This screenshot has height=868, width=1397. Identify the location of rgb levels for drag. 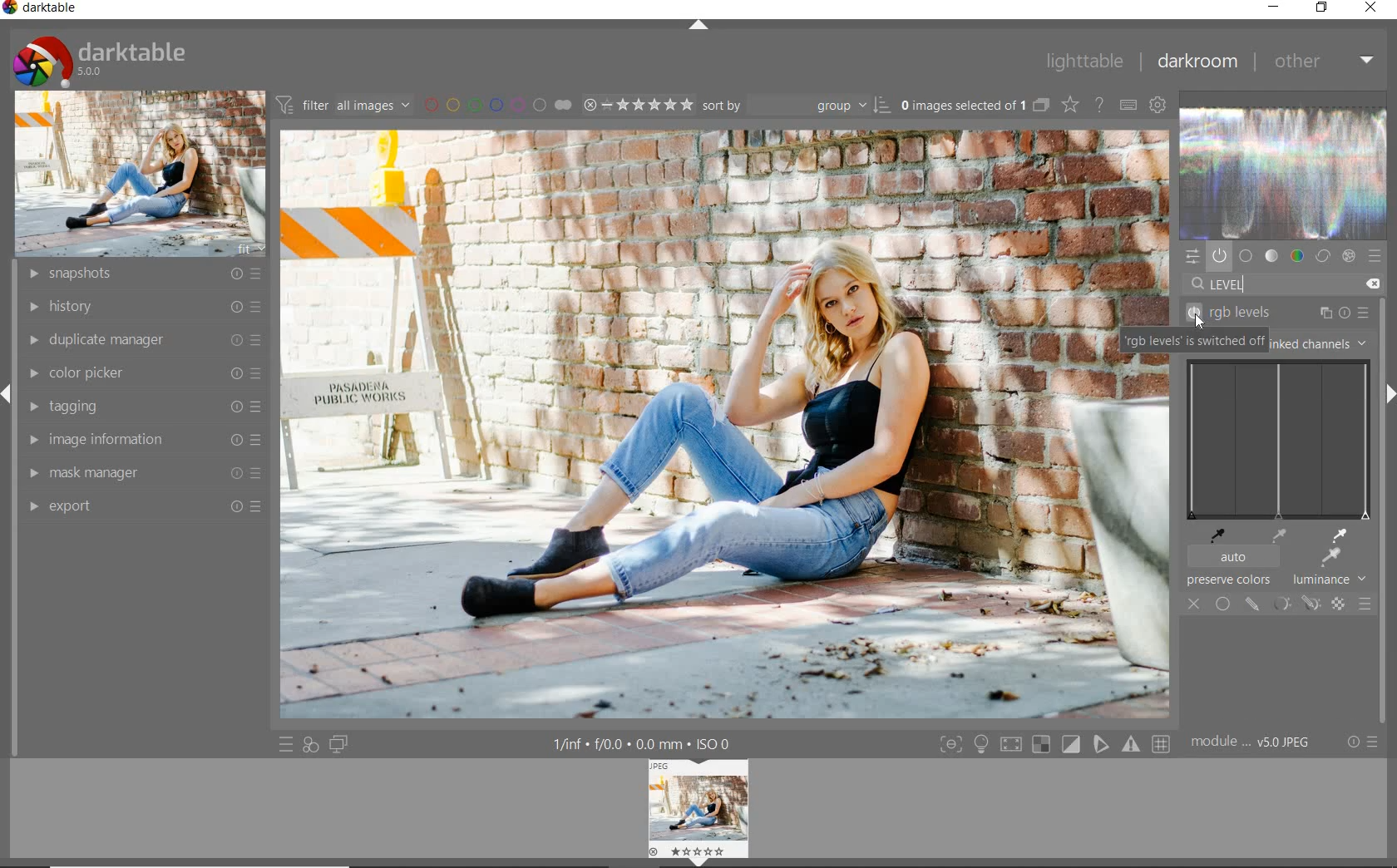
(1278, 440).